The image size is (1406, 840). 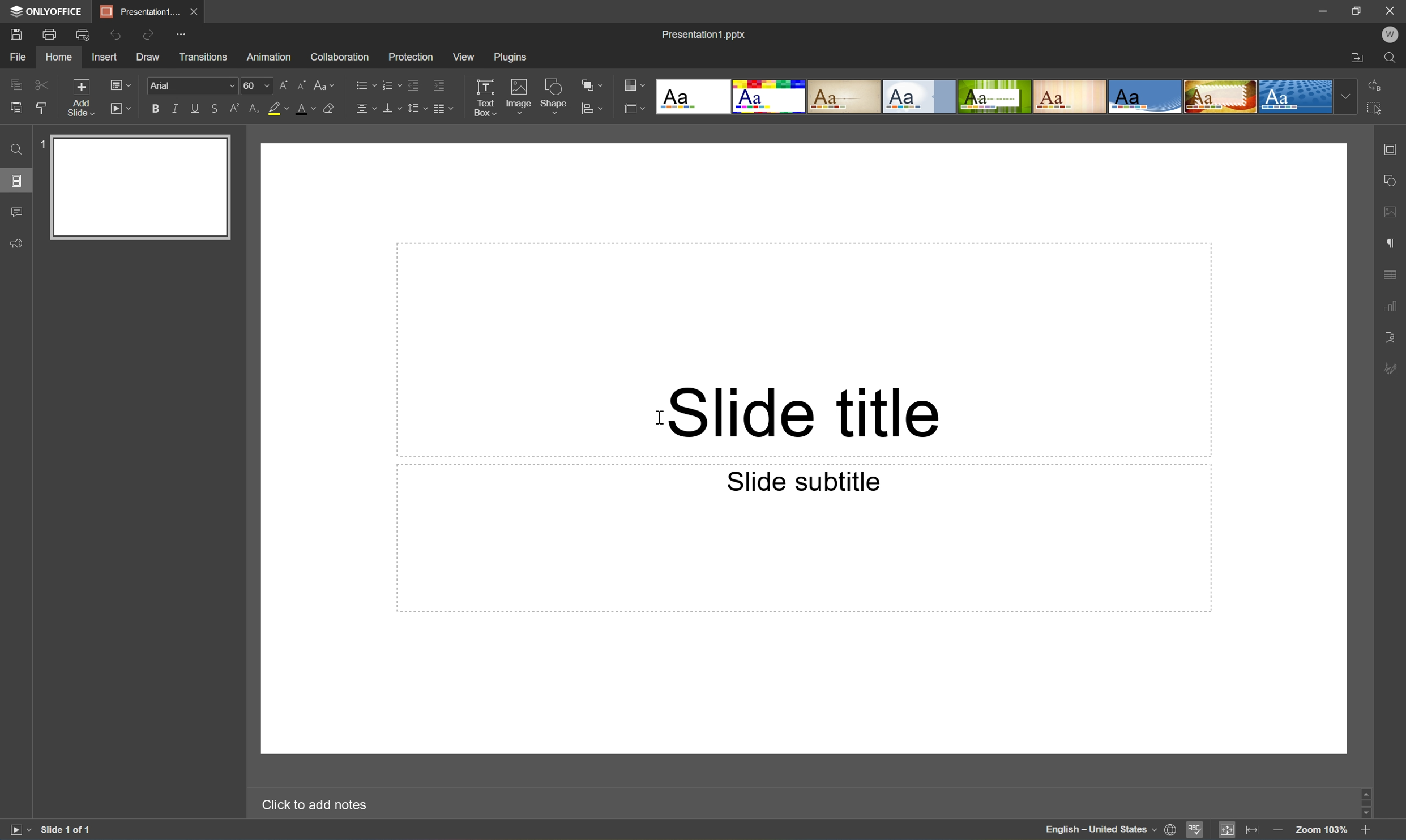 I want to click on Align shape, so click(x=592, y=112).